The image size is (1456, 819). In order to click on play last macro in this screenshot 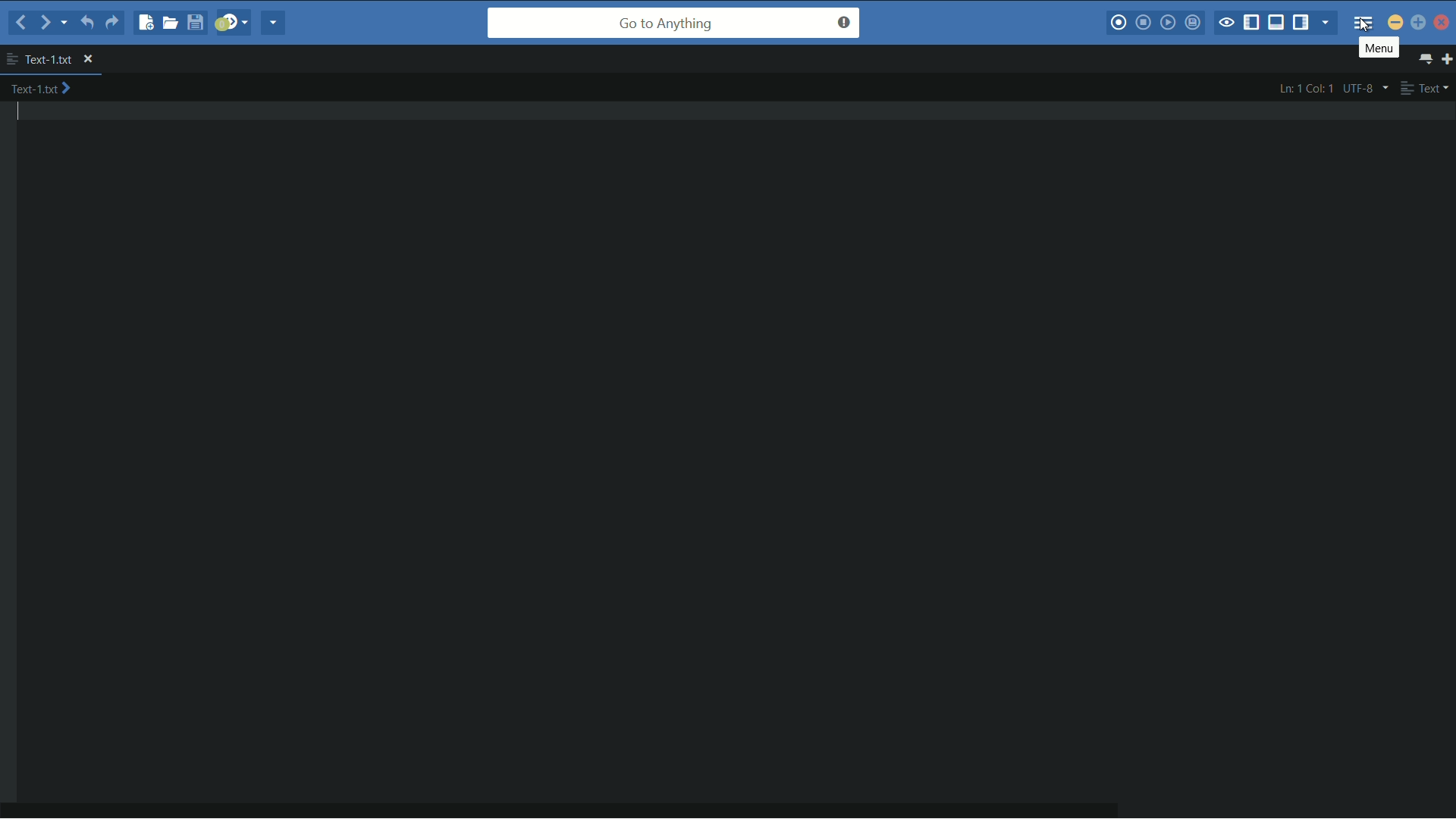, I will do `click(1167, 24)`.